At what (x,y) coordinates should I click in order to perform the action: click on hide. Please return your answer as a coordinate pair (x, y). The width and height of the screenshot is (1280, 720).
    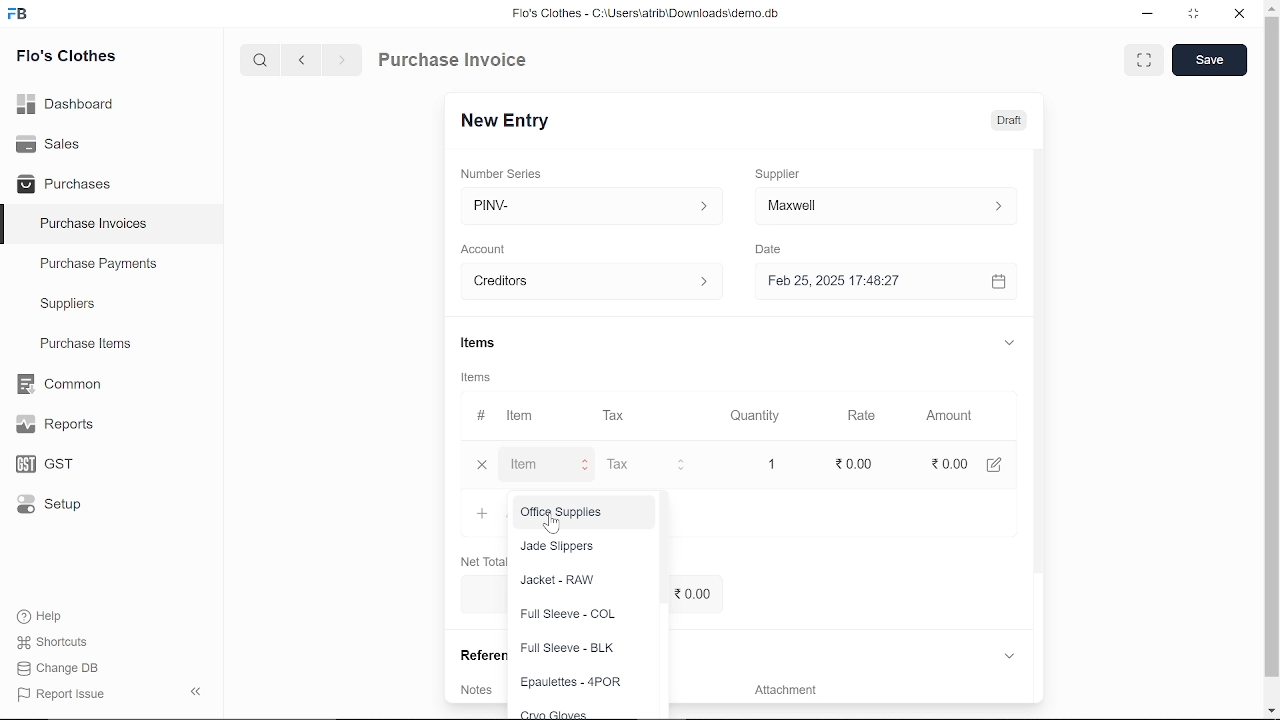
    Looking at the image, I should click on (192, 693).